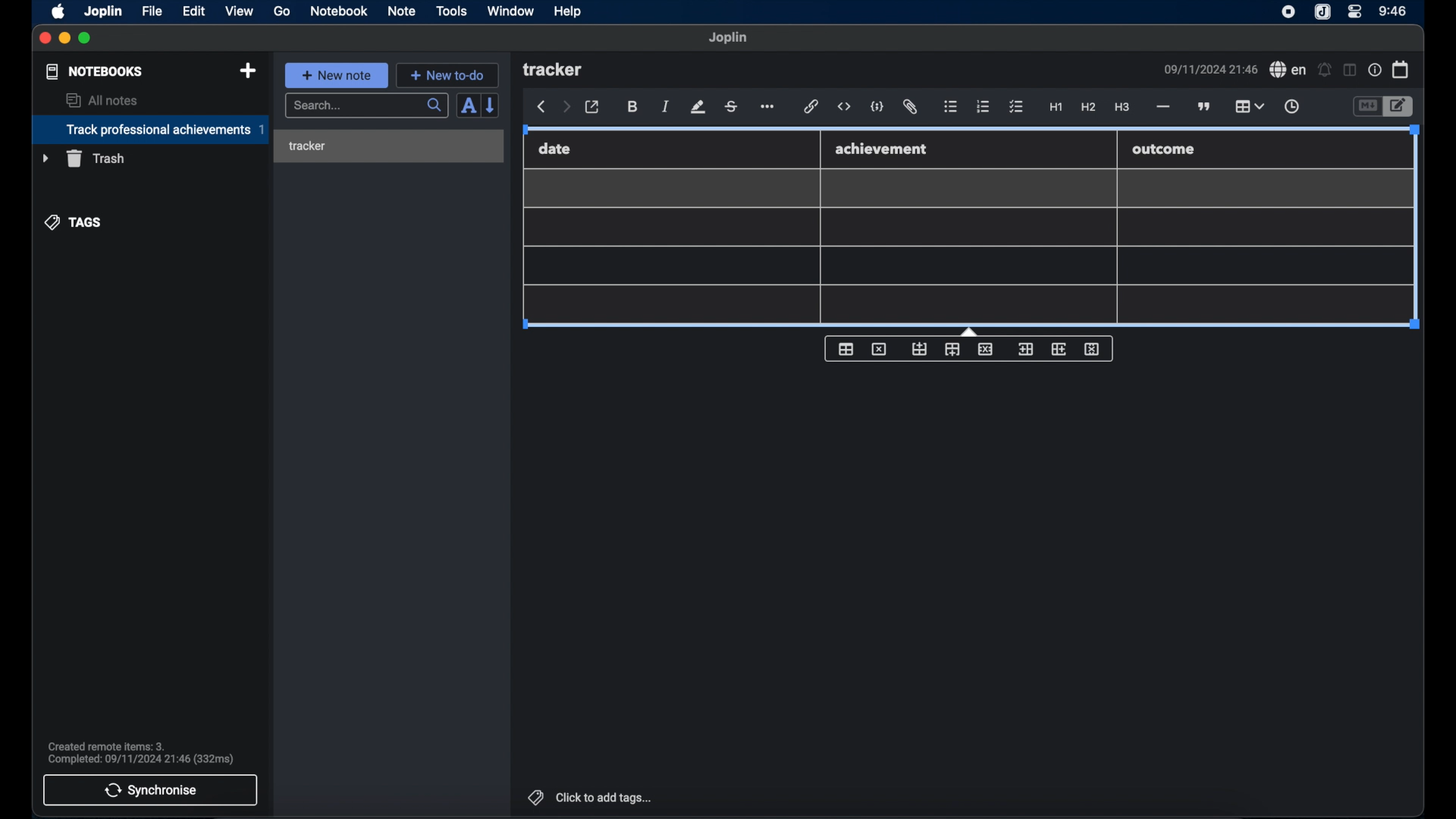 The height and width of the screenshot is (819, 1456). I want to click on delet table, so click(879, 348).